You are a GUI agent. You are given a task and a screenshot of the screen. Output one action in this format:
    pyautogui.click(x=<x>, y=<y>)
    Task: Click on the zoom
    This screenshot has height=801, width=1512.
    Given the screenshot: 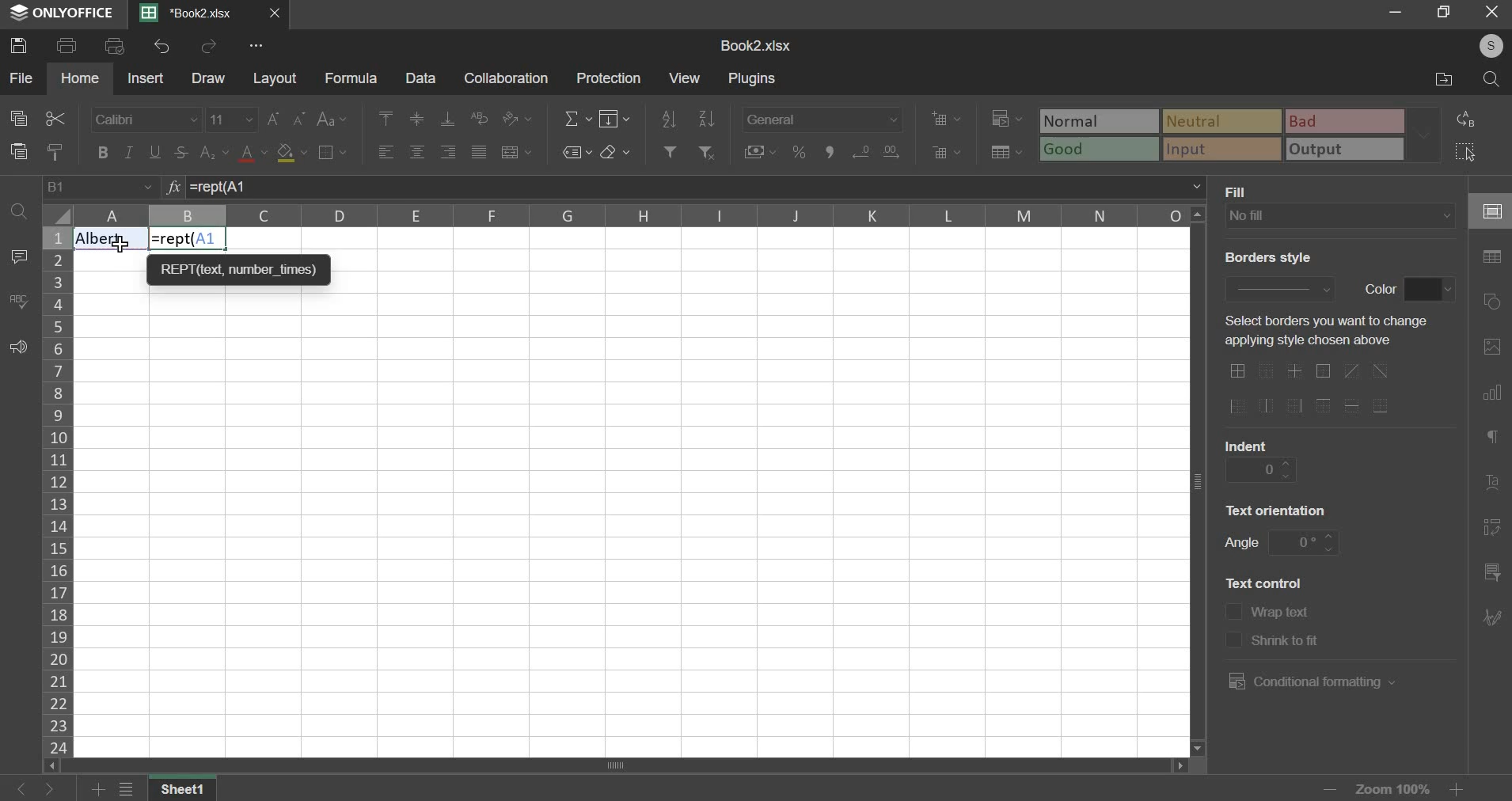 What is the action you would take?
    pyautogui.click(x=1286, y=788)
    